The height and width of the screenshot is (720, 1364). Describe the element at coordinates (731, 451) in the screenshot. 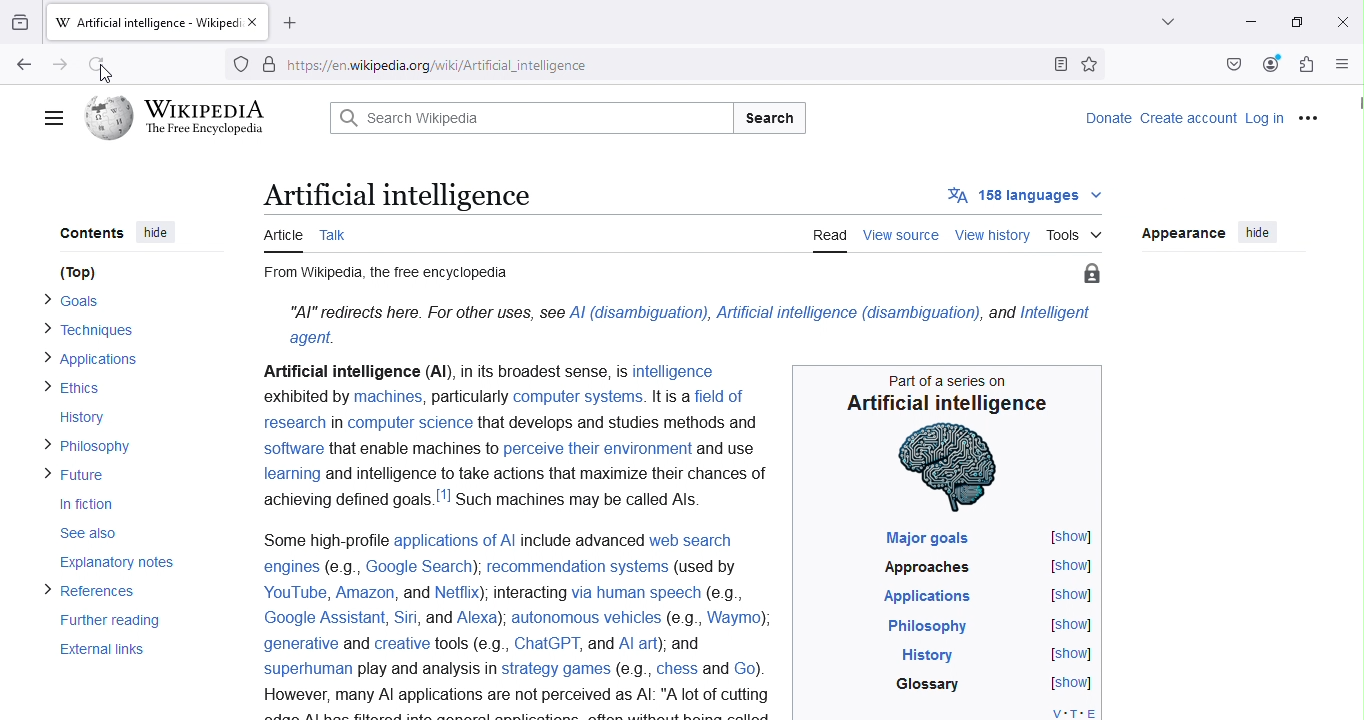

I see `and use` at that location.